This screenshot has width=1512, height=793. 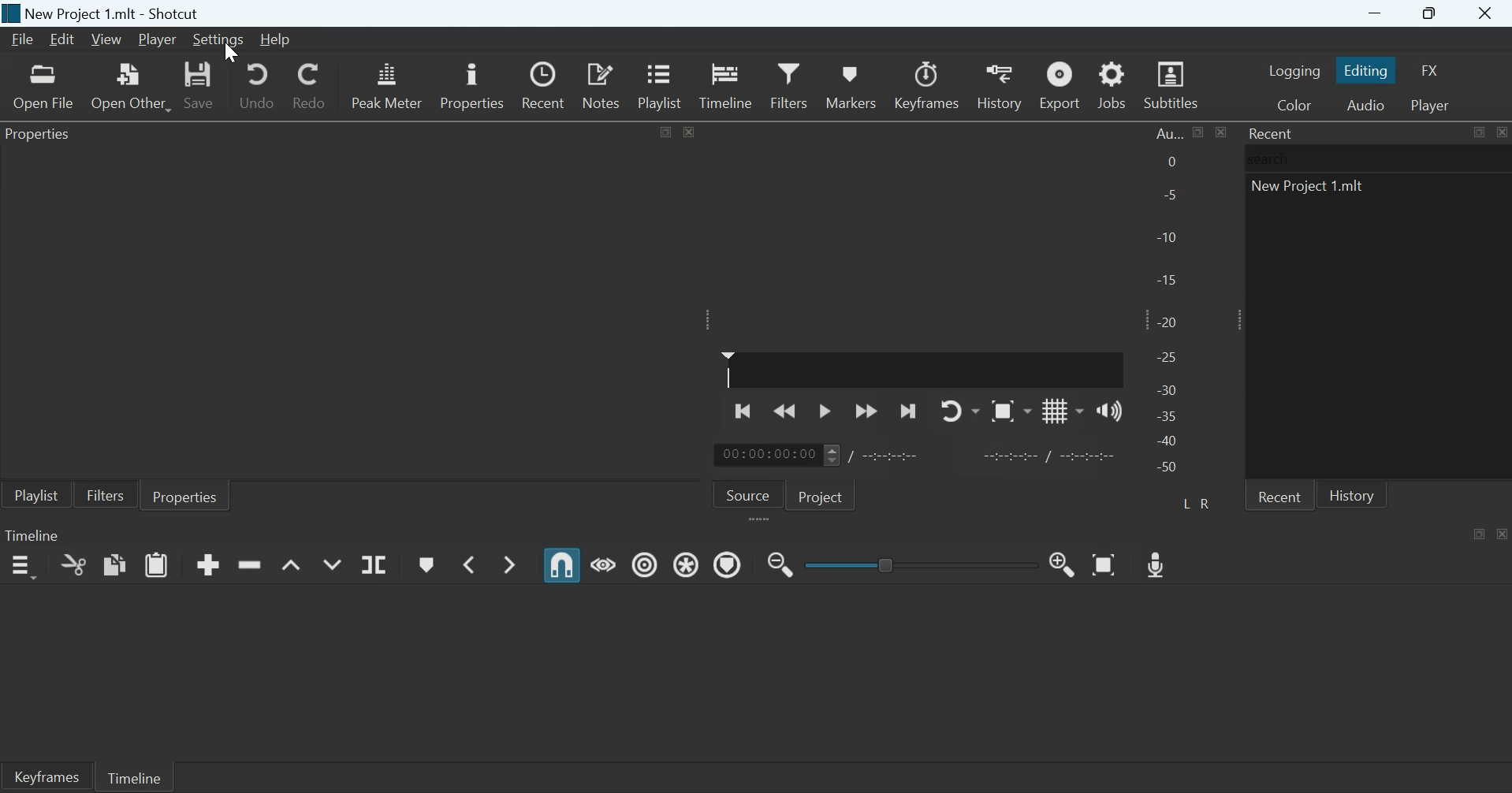 I want to click on Right, so click(x=1208, y=503).